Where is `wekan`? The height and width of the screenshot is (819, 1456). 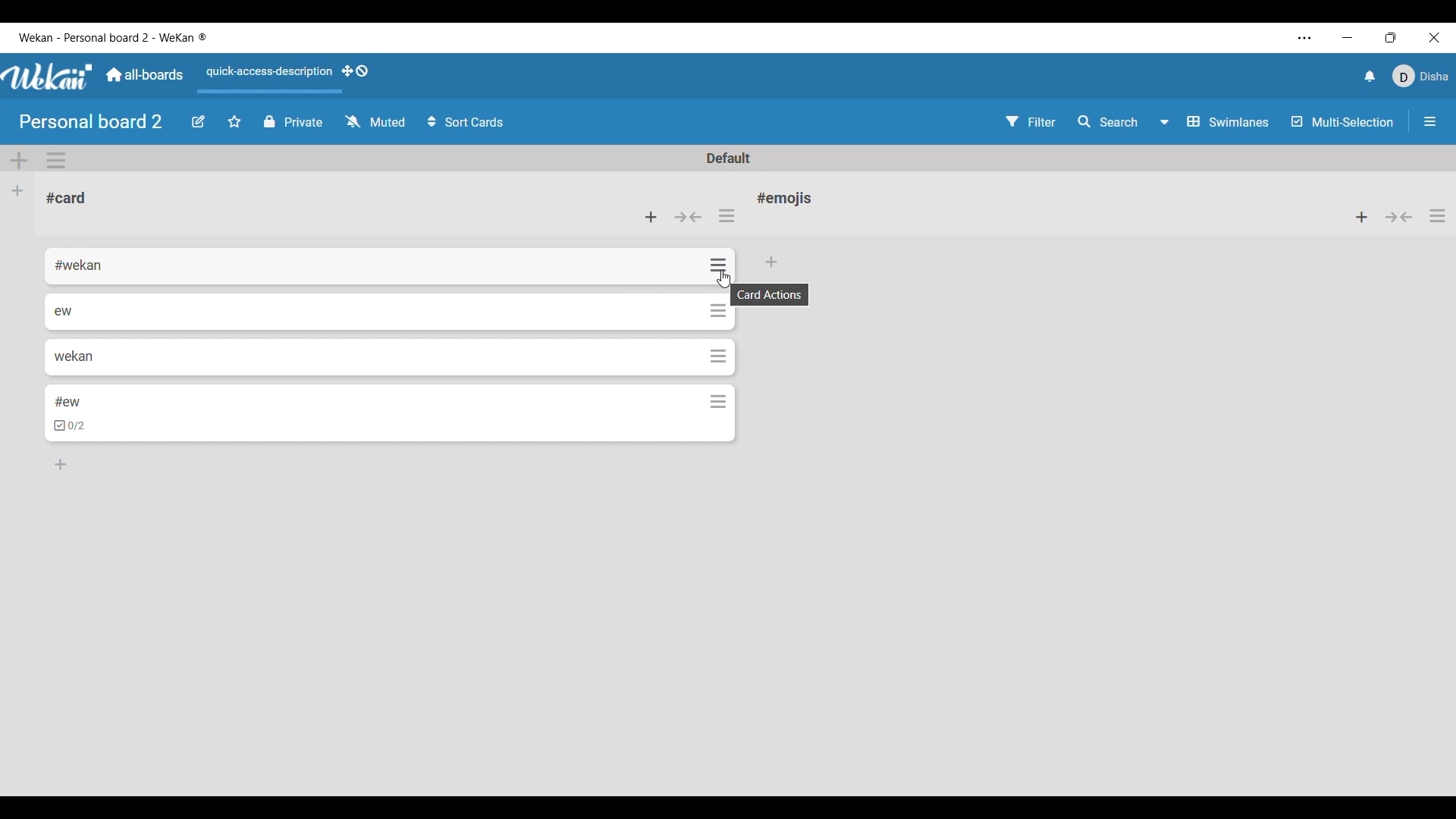 wekan is located at coordinates (73, 356).